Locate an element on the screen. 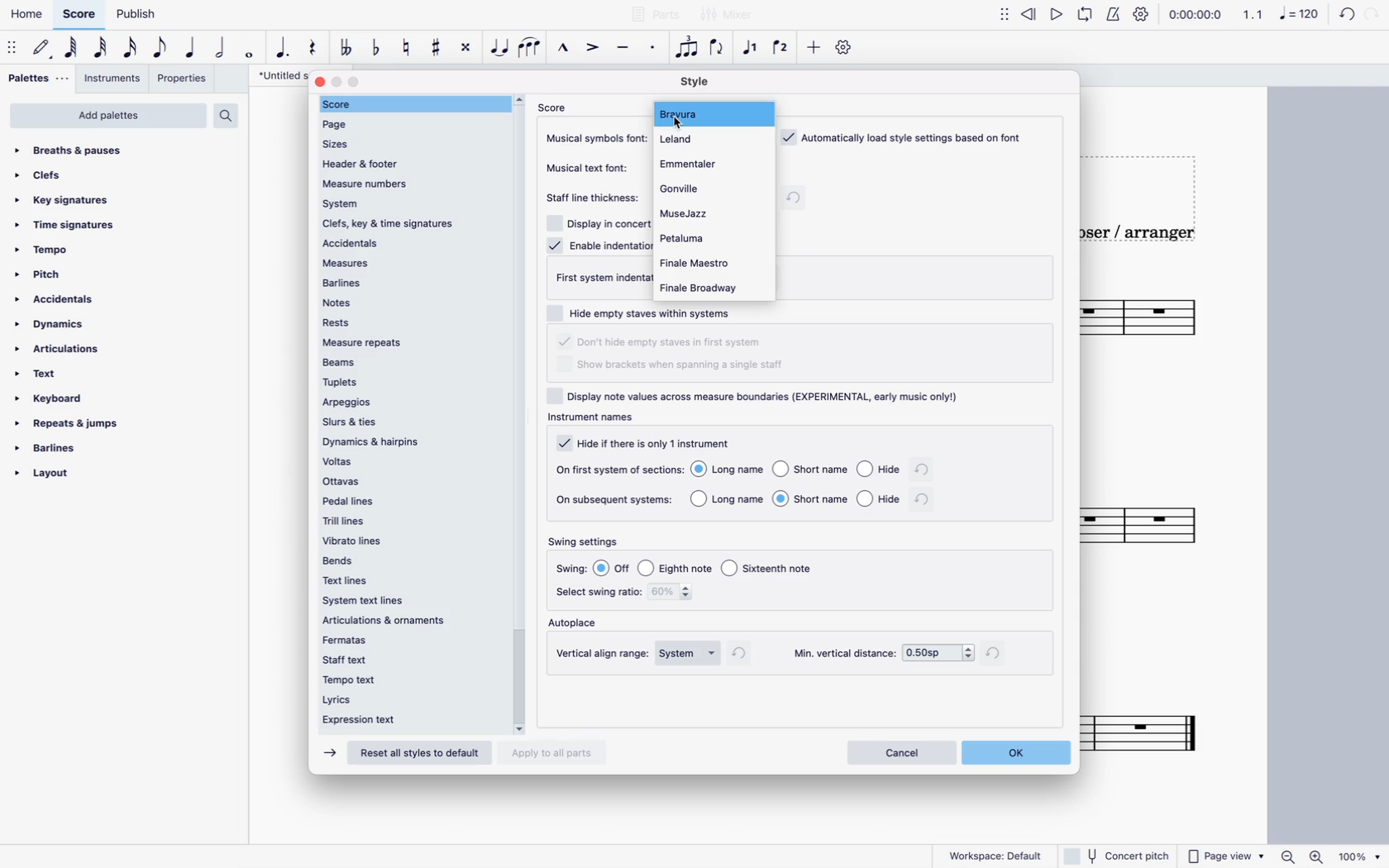 The height and width of the screenshot is (868, 1389). score is located at coordinates (556, 107).